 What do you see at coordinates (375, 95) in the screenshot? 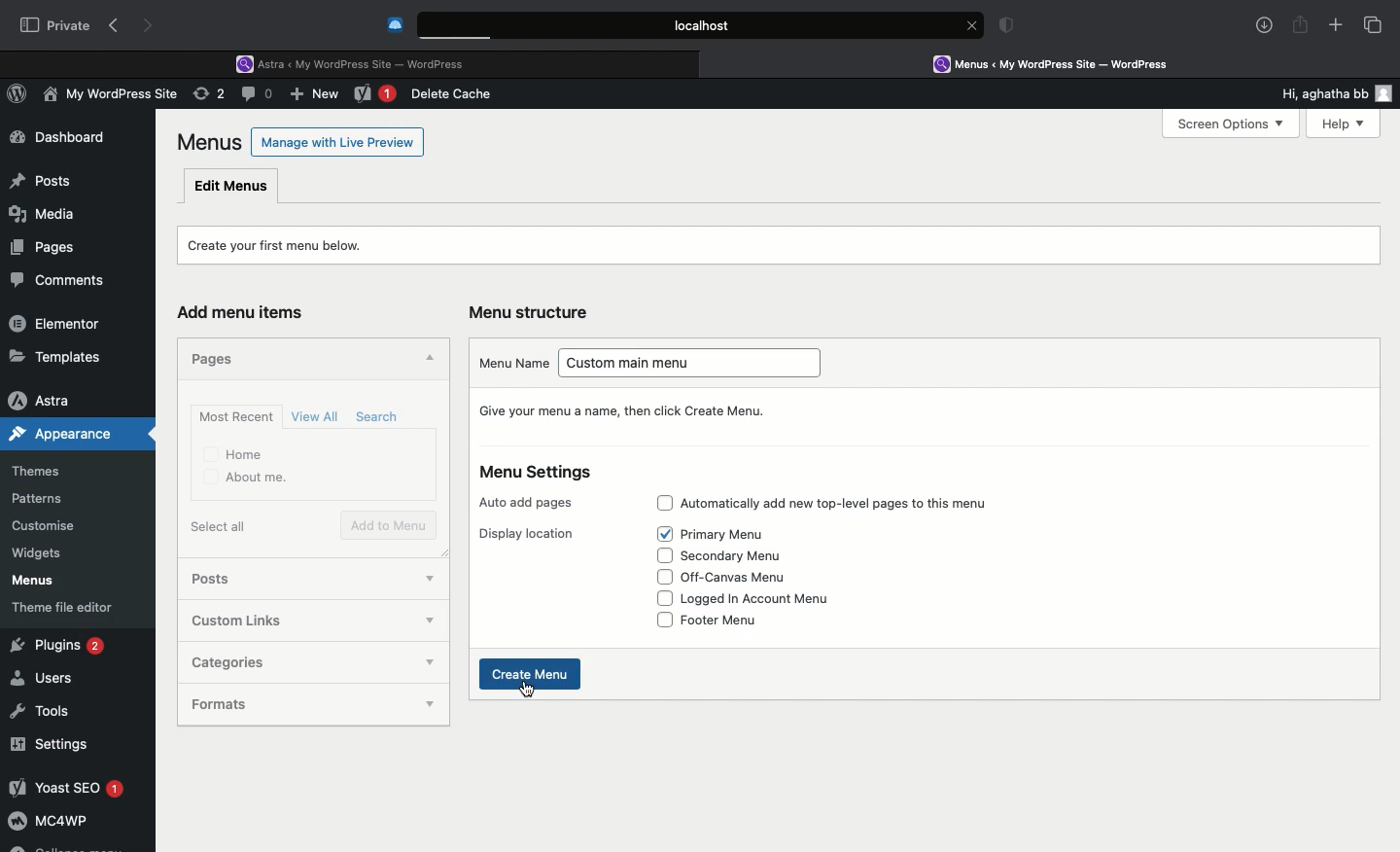
I see `New` at bounding box center [375, 95].